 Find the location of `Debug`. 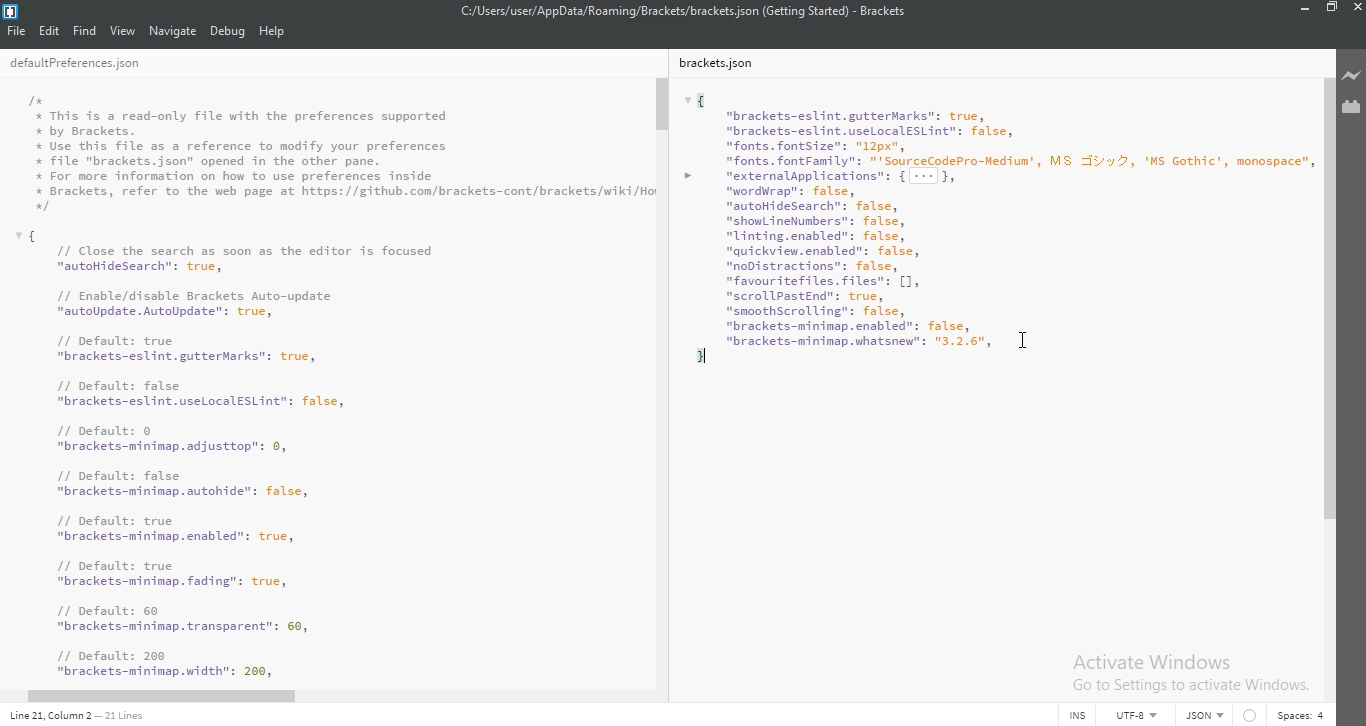

Debug is located at coordinates (228, 32).